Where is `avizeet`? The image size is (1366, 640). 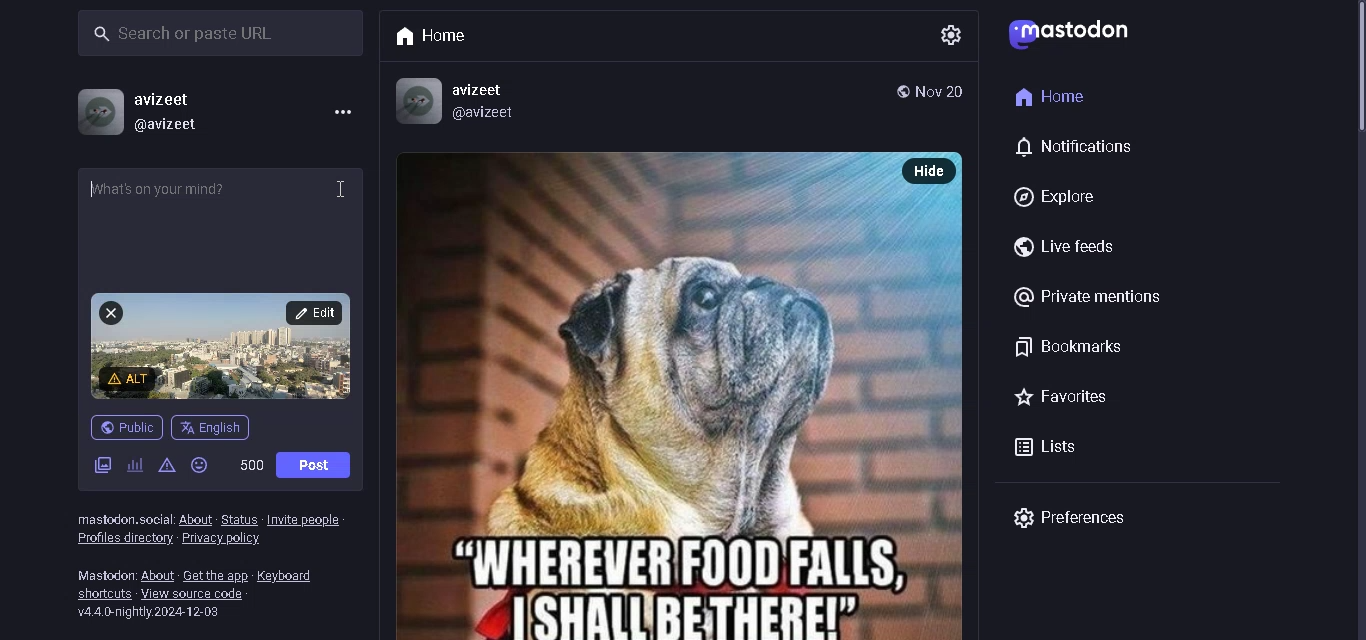
avizeet is located at coordinates (505, 91).